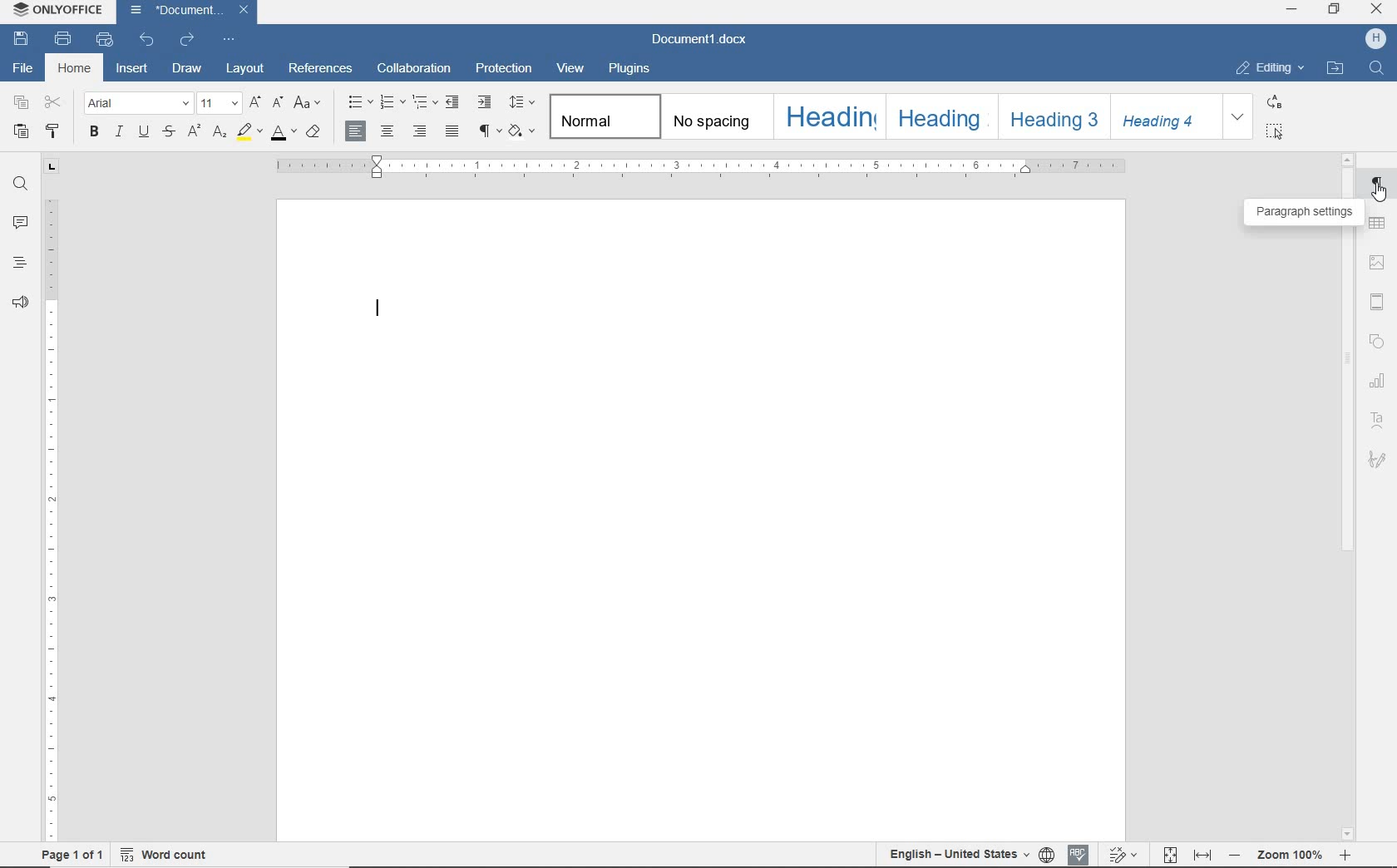 This screenshot has height=868, width=1397. I want to click on scrollbar, so click(1347, 397).